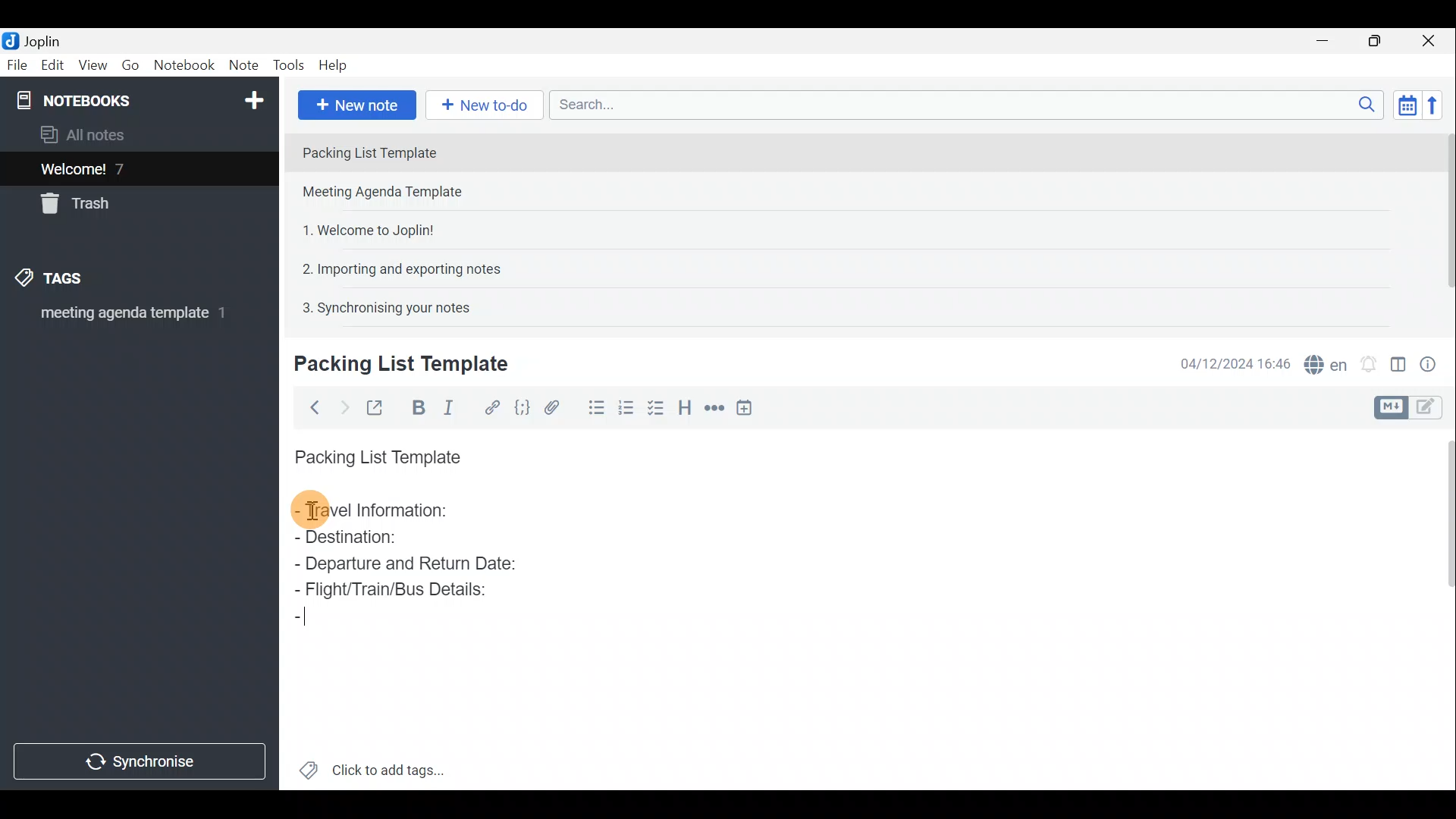  I want to click on Help, so click(335, 67).